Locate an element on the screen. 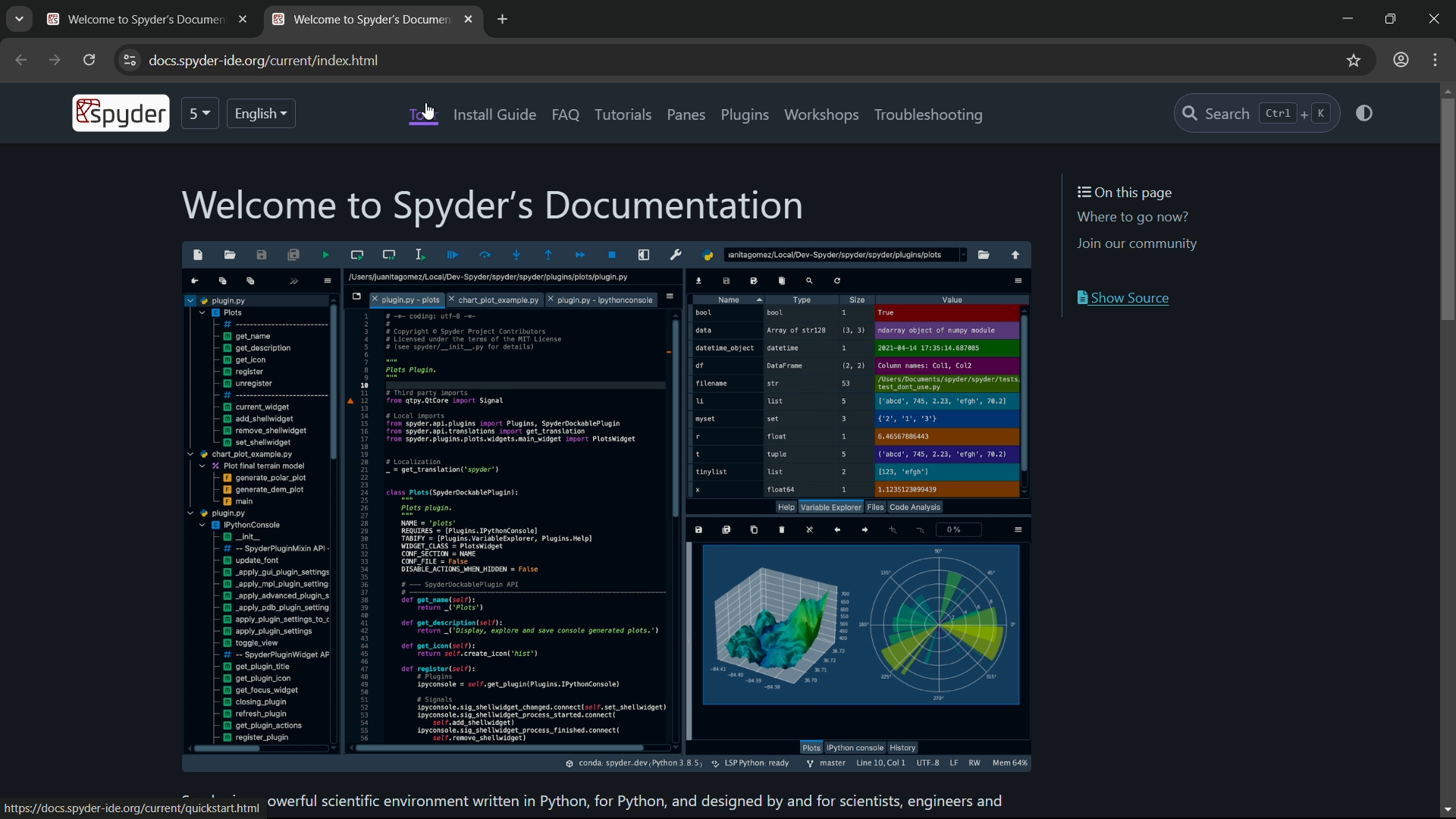 The height and width of the screenshot is (819, 1456). welcome to spyder's documentation is located at coordinates (491, 202).